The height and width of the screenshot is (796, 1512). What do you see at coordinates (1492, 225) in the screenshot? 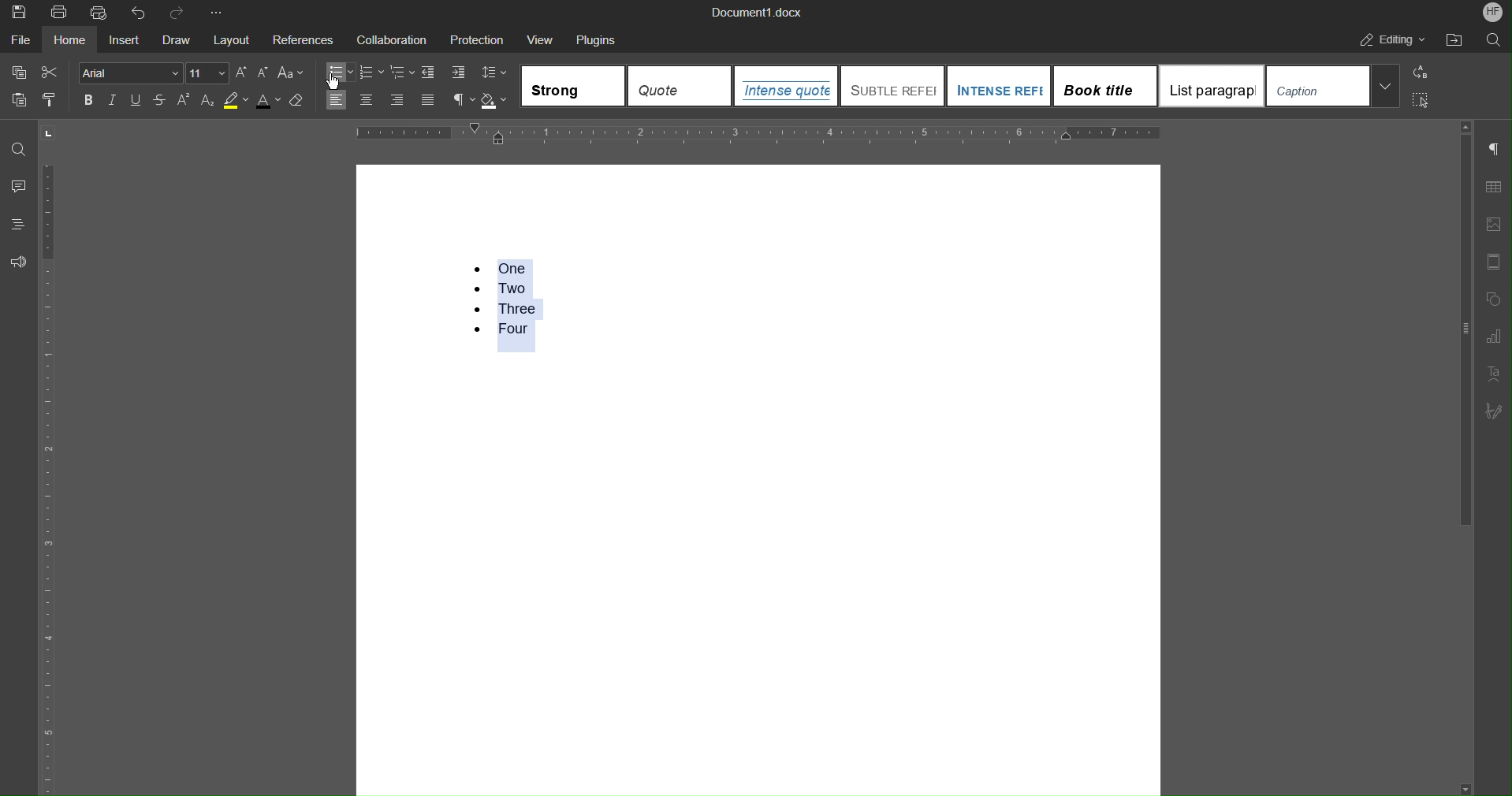
I see `Image Settings` at bounding box center [1492, 225].